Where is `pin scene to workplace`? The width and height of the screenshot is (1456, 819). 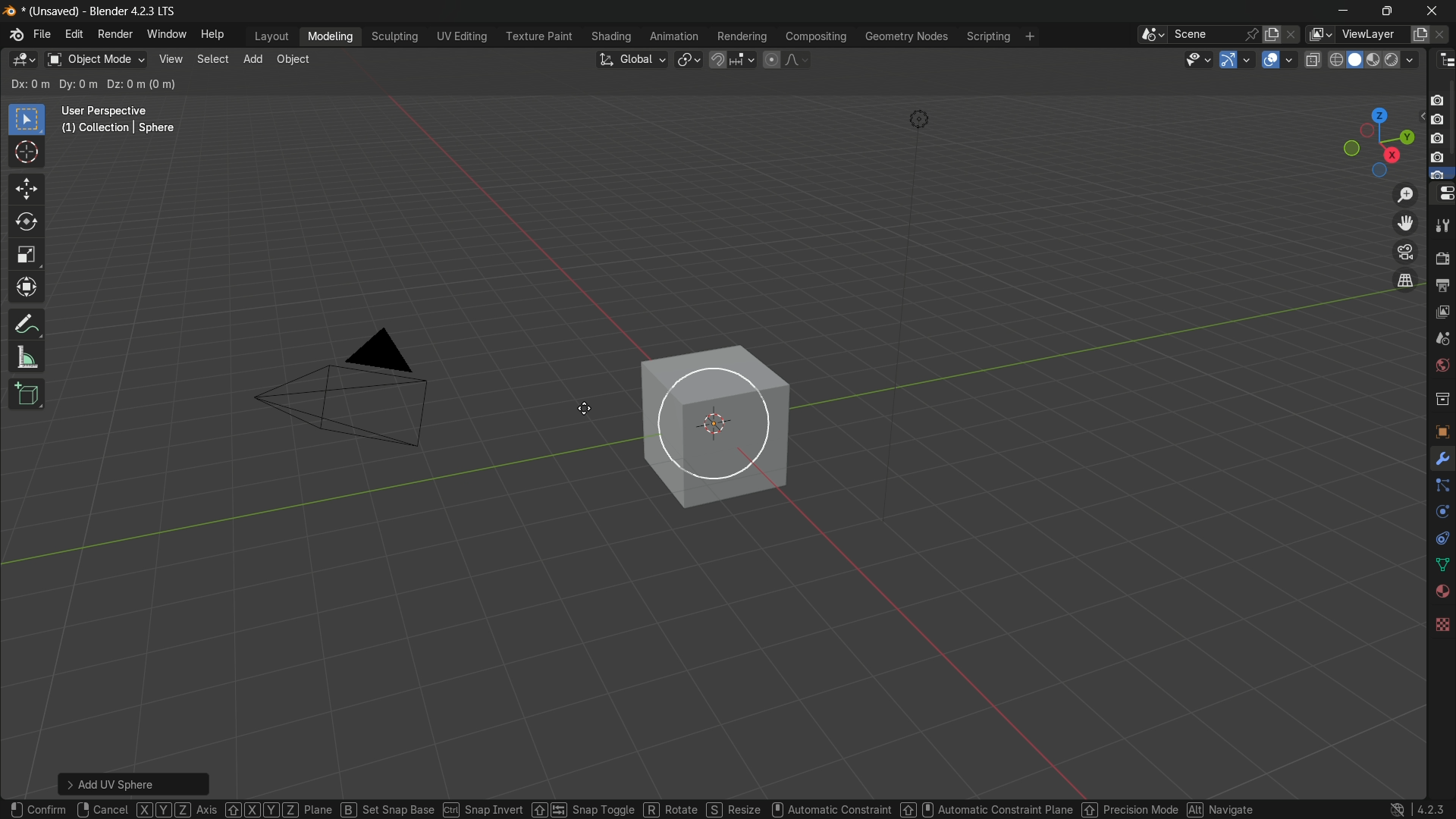 pin scene to workplace is located at coordinates (1253, 35).